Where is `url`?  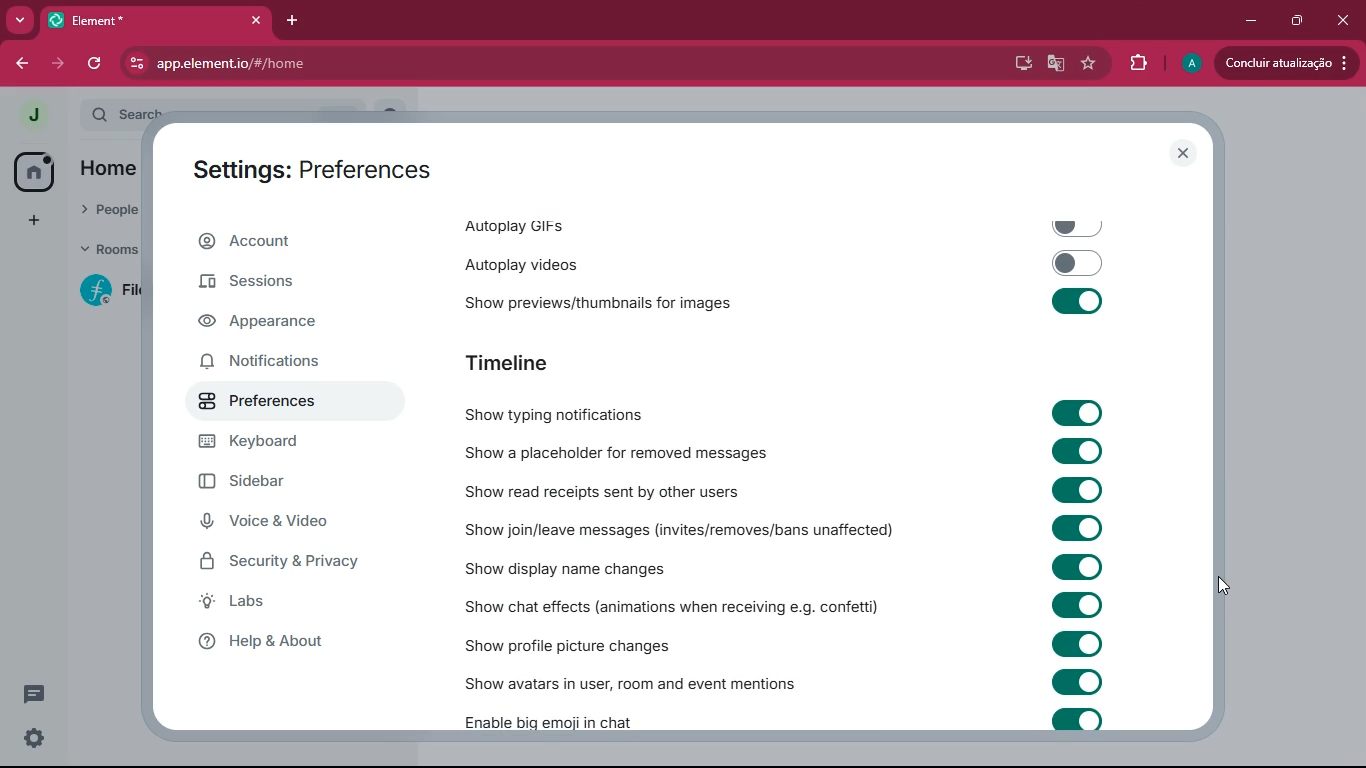 url is located at coordinates (289, 64).